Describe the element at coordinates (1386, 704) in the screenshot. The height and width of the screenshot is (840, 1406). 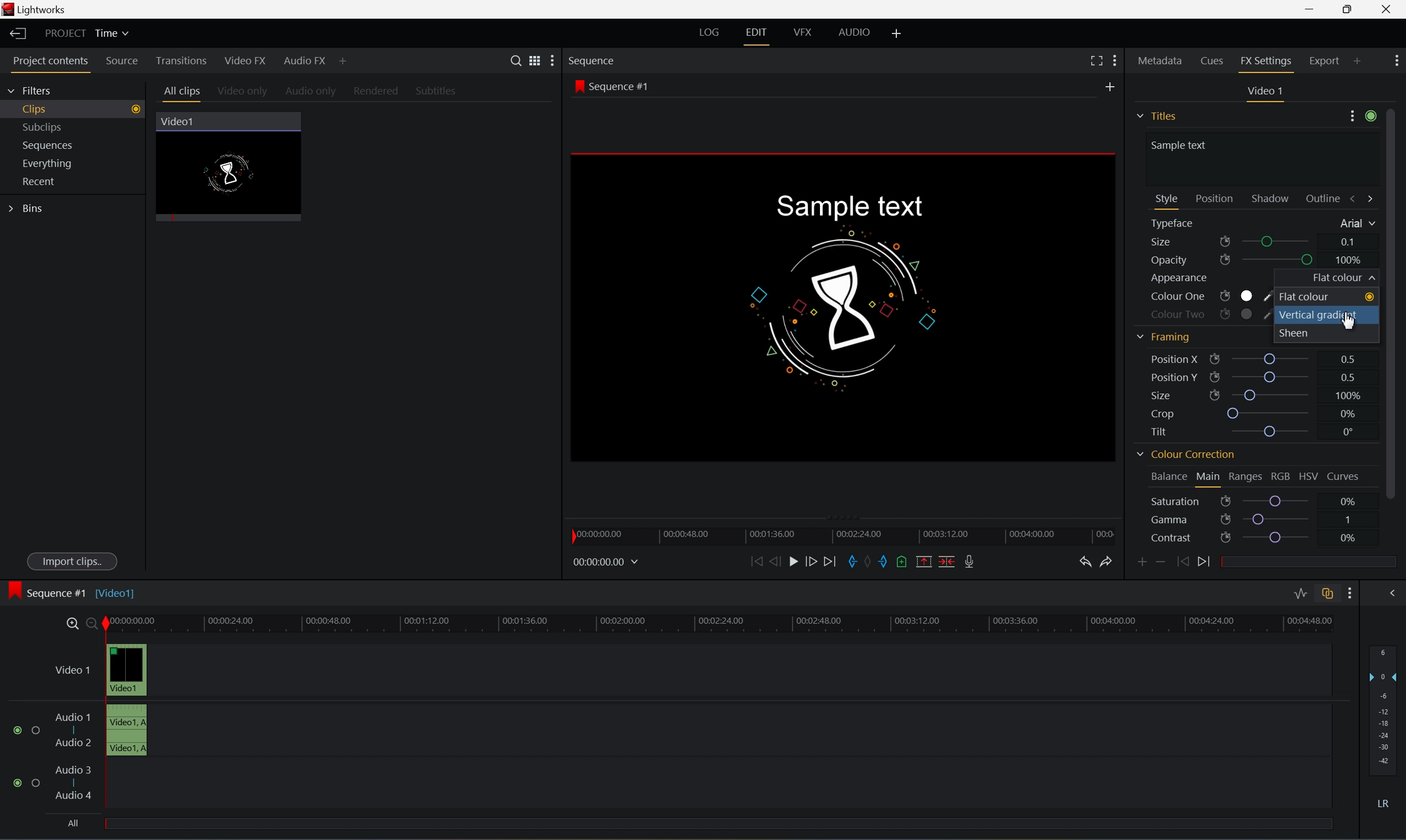
I see `audio output levels` at that location.